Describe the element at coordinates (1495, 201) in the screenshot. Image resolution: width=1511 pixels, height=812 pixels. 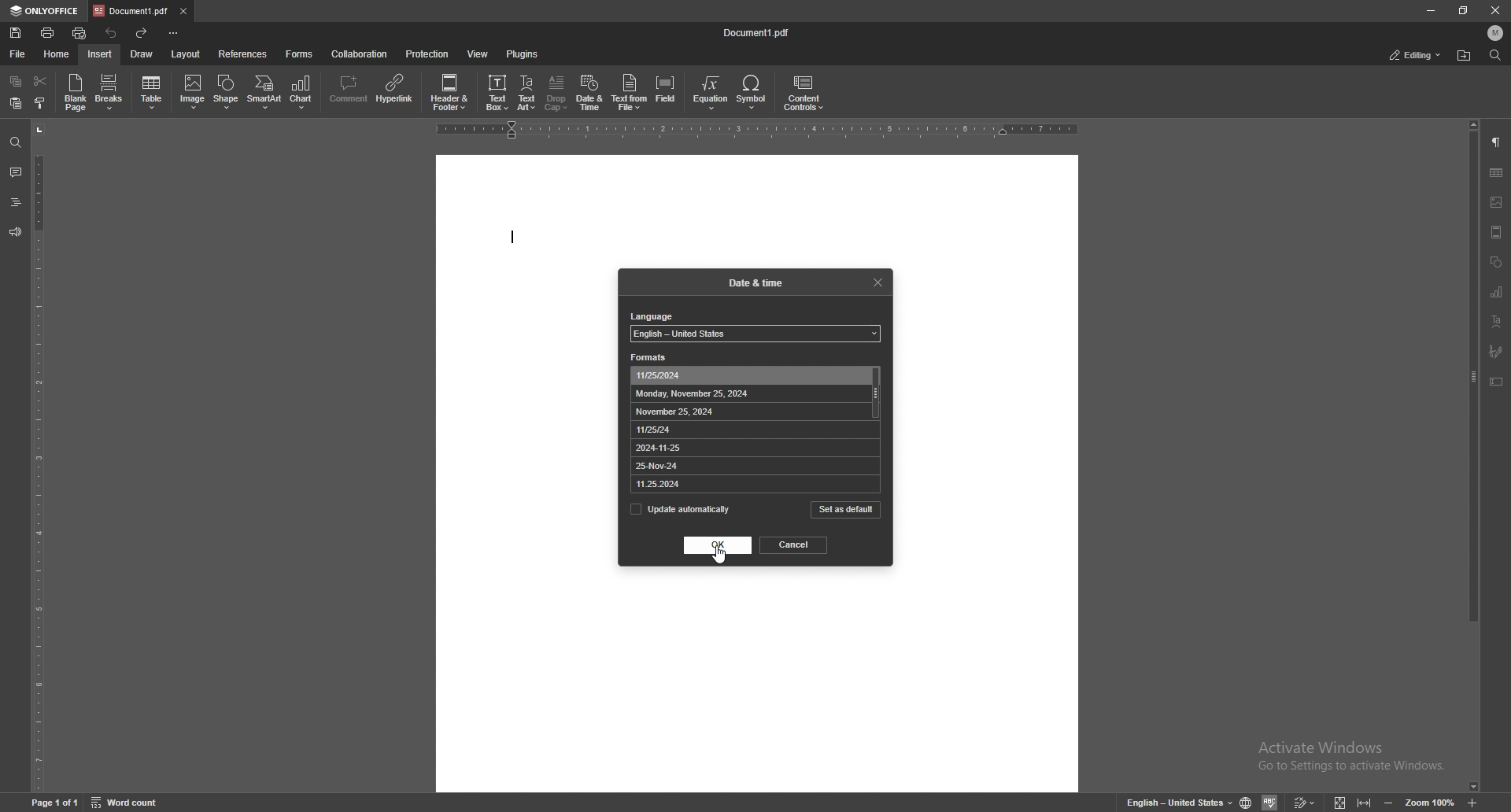
I see `image` at that location.